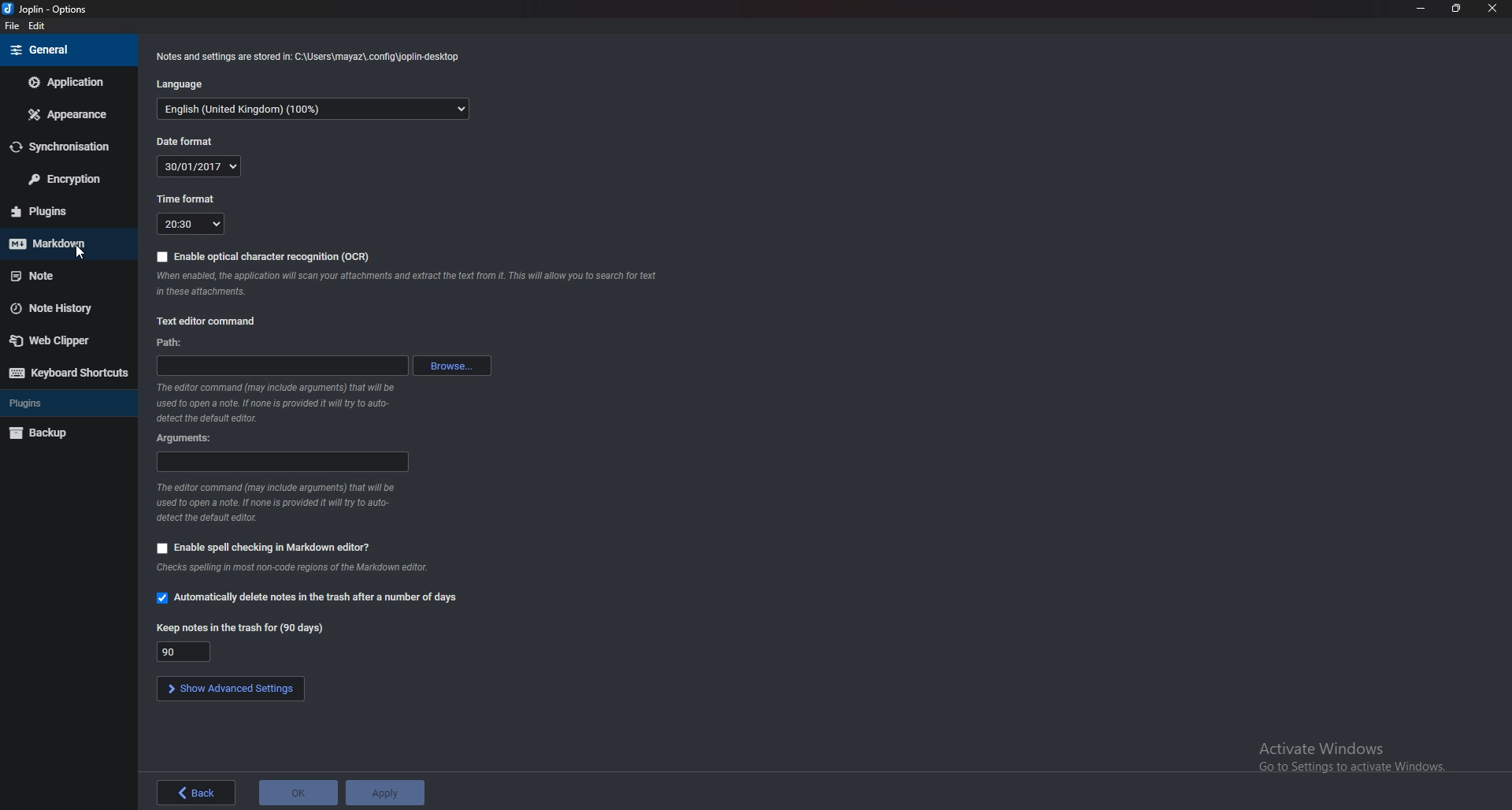  I want to click on ocr info, so click(408, 284).